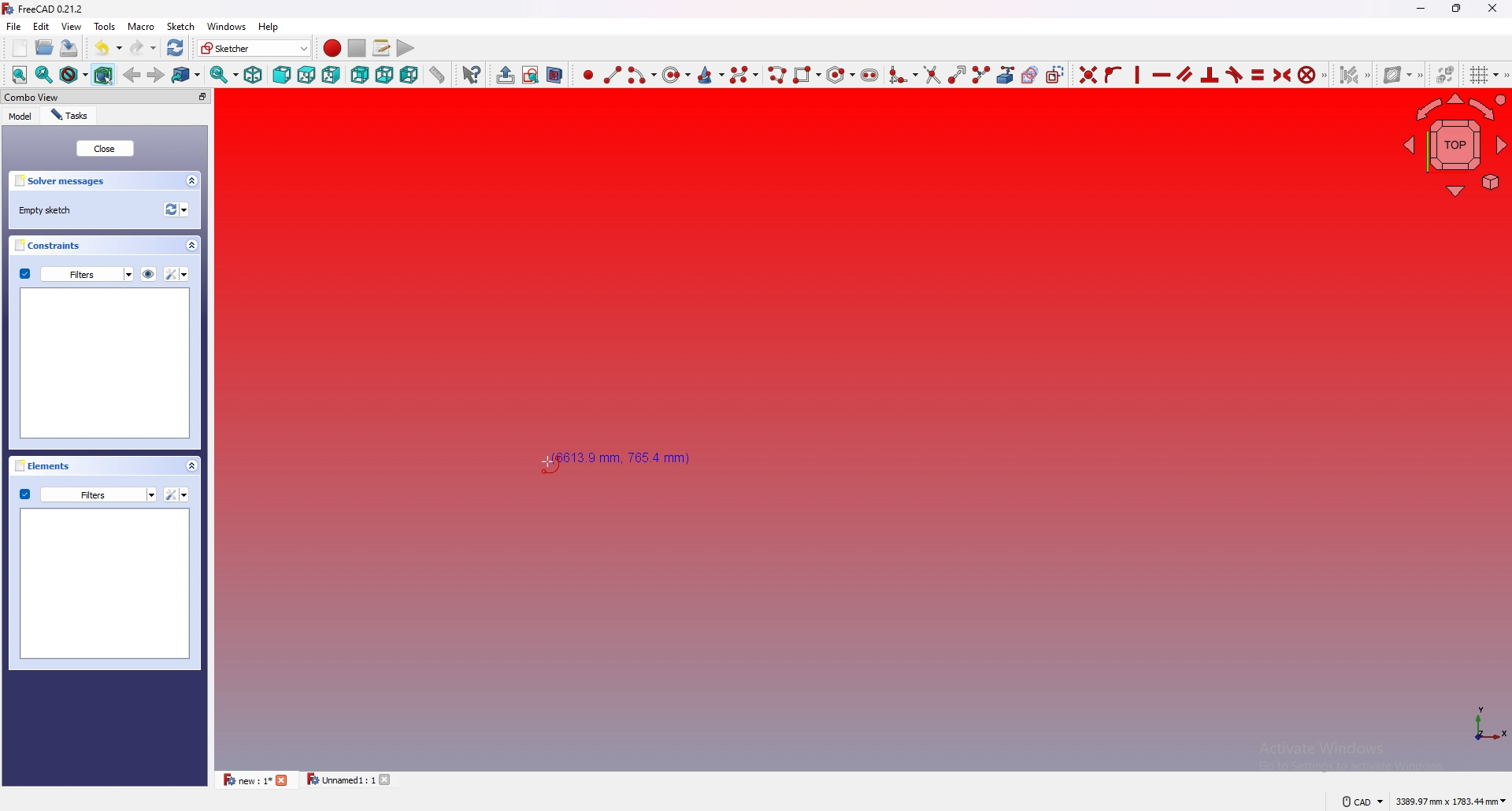 This screenshot has height=811, width=1512. Describe the element at coordinates (133, 75) in the screenshot. I see `back` at that location.